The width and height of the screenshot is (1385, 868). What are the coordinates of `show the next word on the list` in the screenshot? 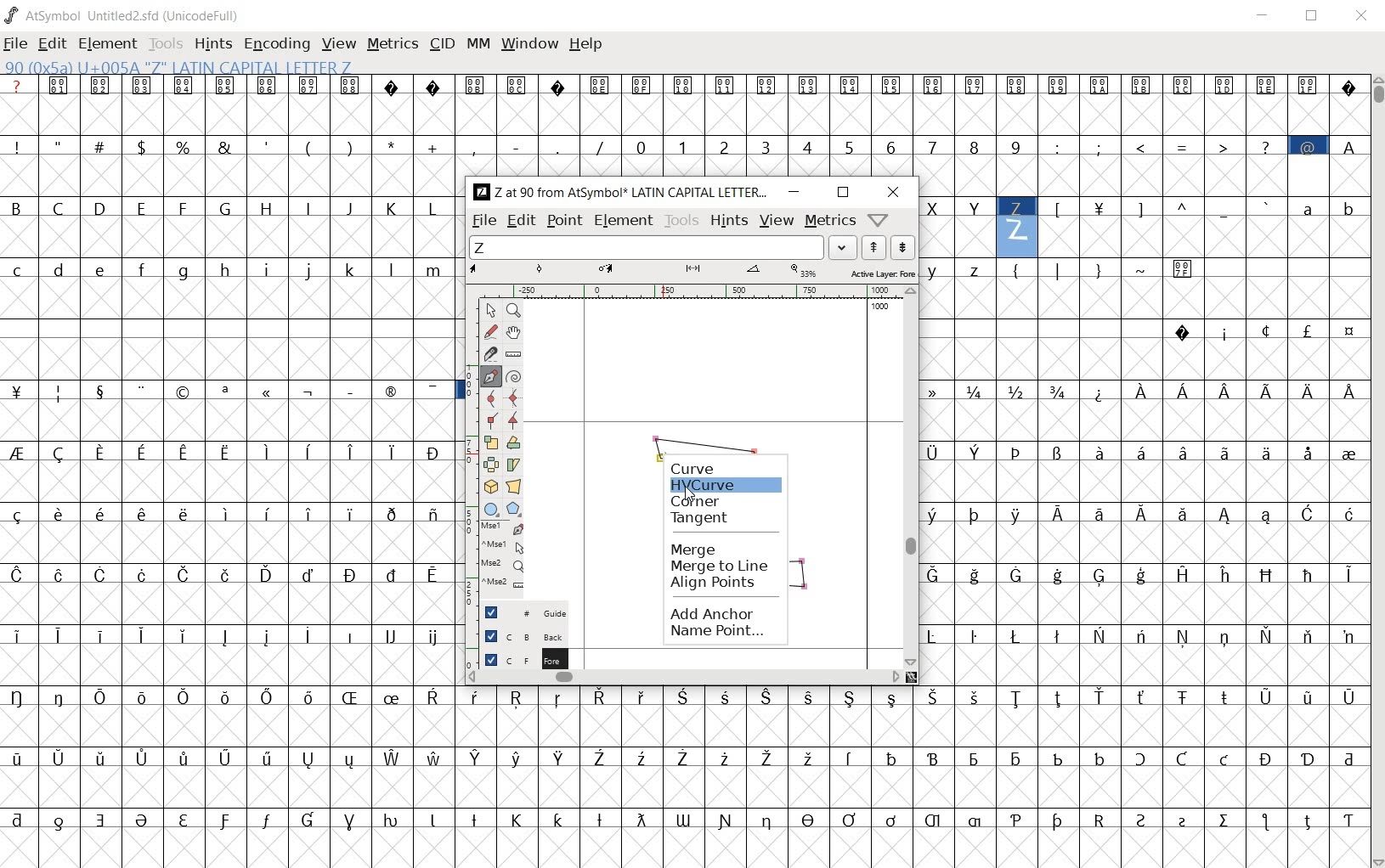 It's located at (873, 248).